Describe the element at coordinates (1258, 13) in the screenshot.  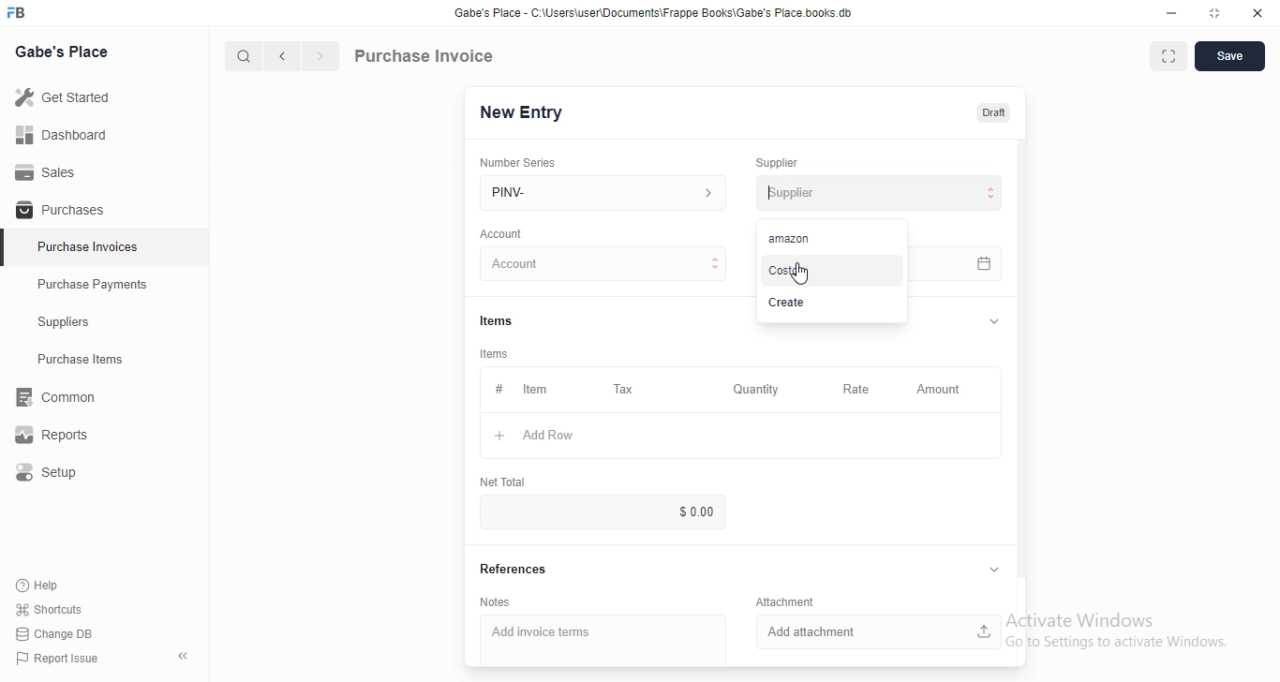
I see `Close` at that location.